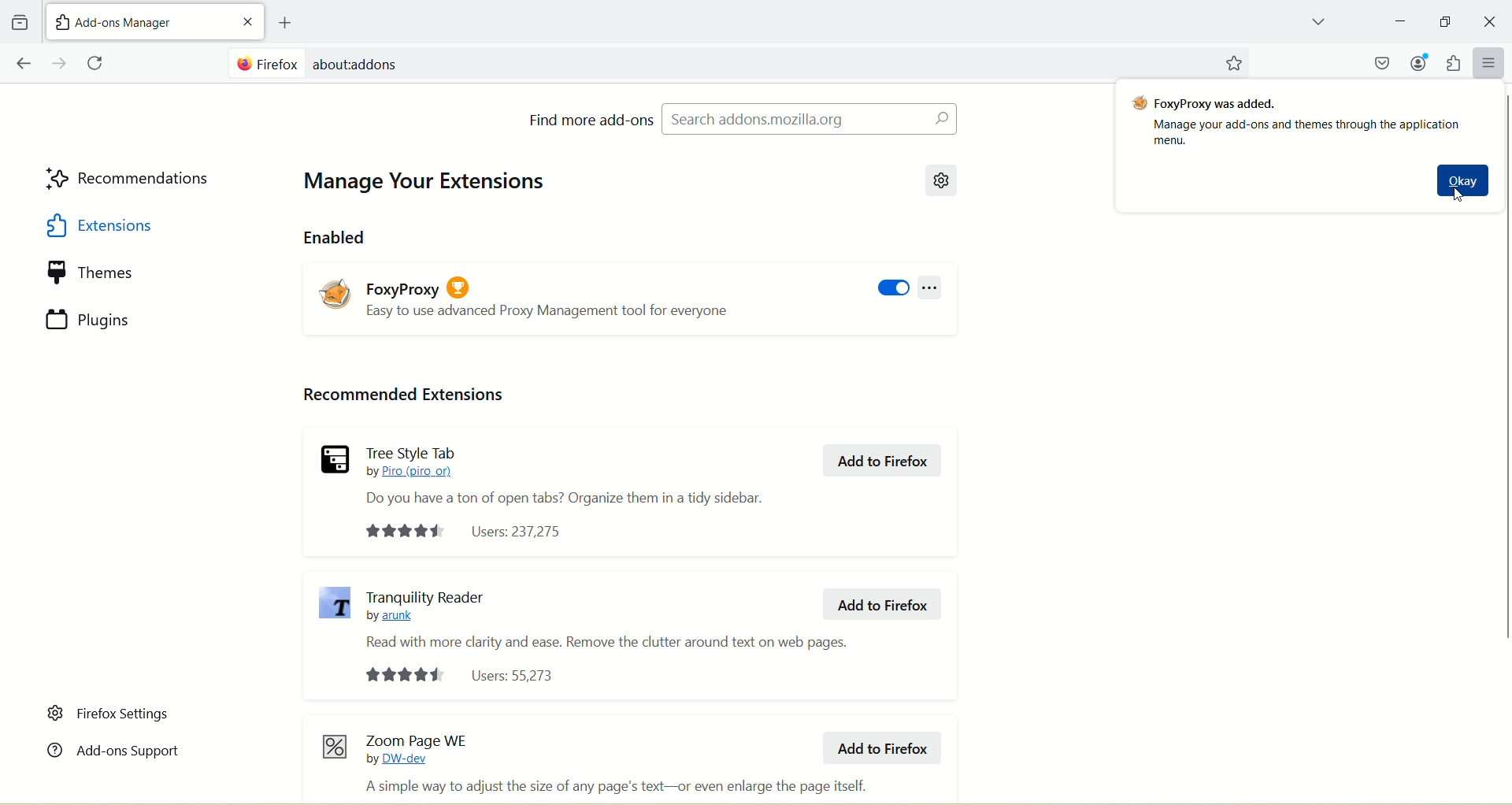  I want to click on Search Addons.Mozilla.org, so click(809, 118).